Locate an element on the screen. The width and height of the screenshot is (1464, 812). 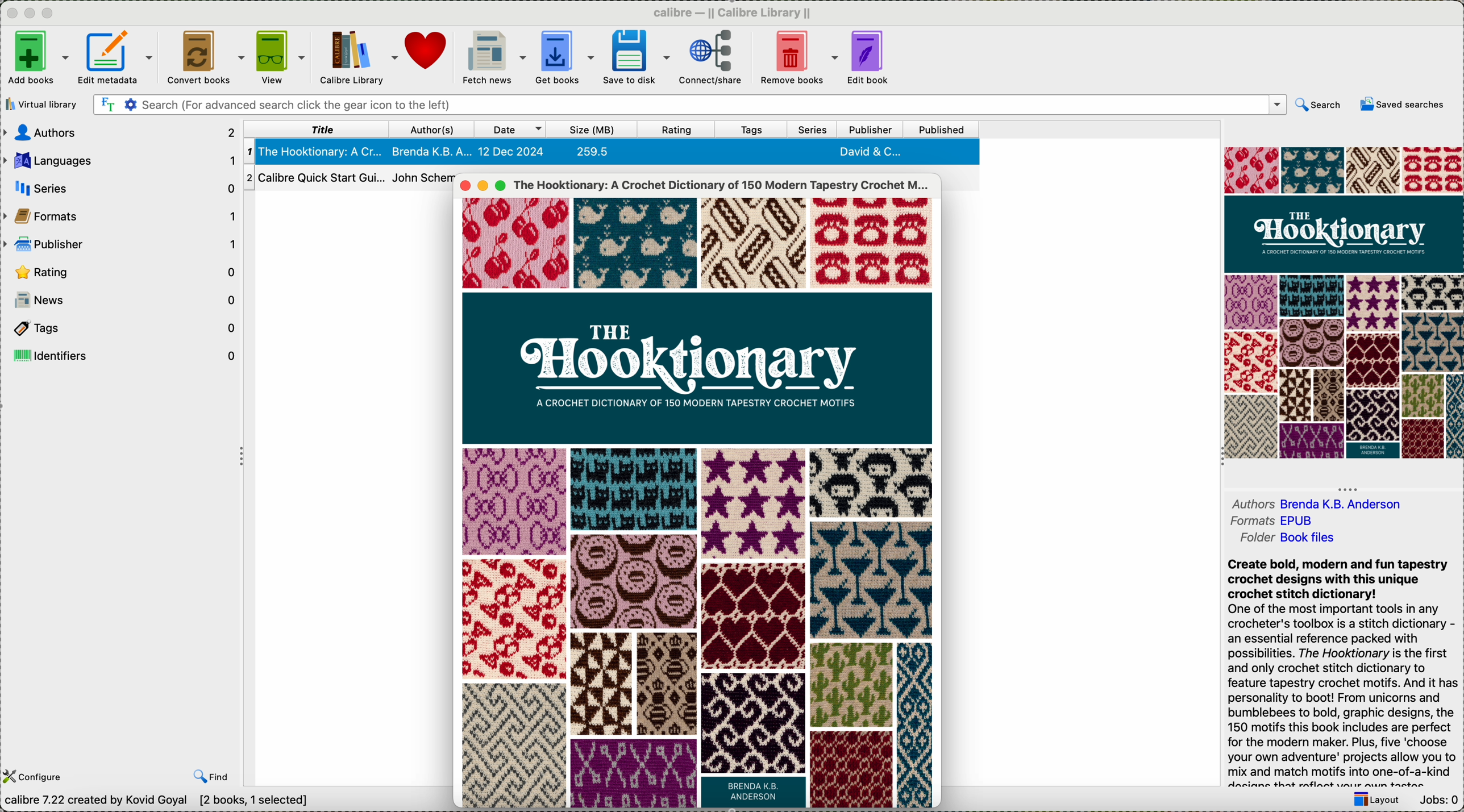
book cover preview is located at coordinates (1342, 303).